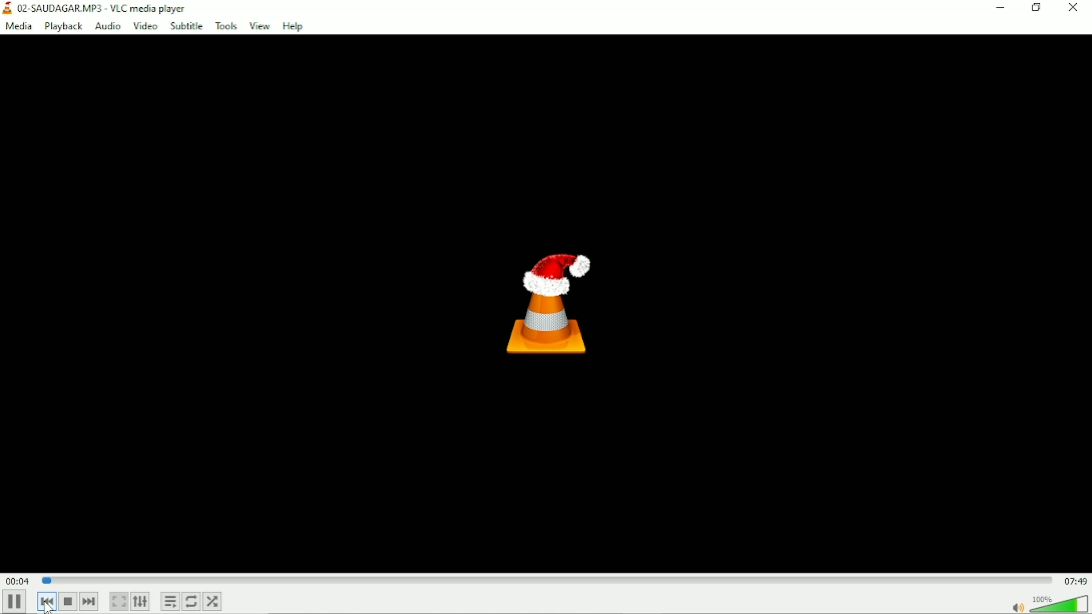 Image resolution: width=1092 pixels, height=614 pixels. I want to click on Help, so click(293, 27).